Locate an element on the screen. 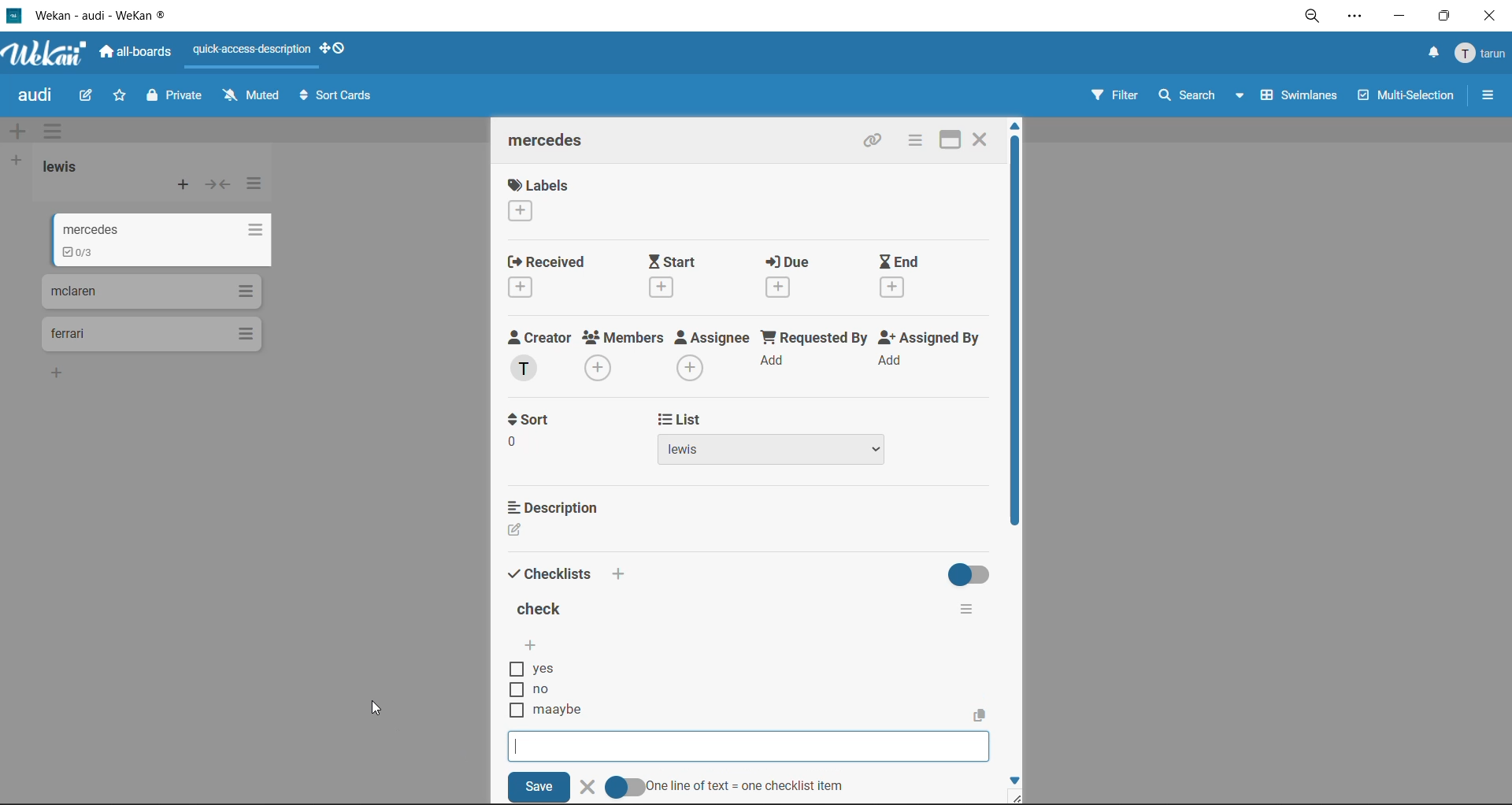  assigned by is located at coordinates (929, 354).